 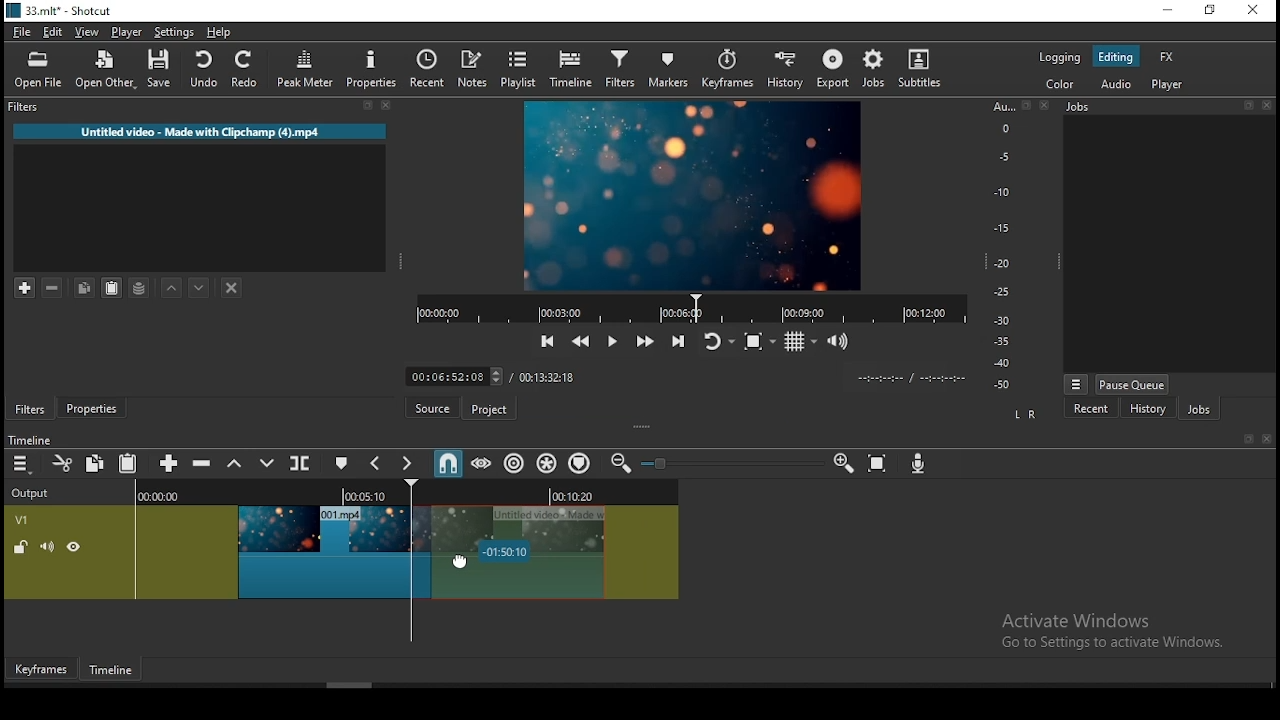 What do you see at coordinates (1173, 11) in the screenshot?
I see `minimise` at bounding box center [1173, 11].